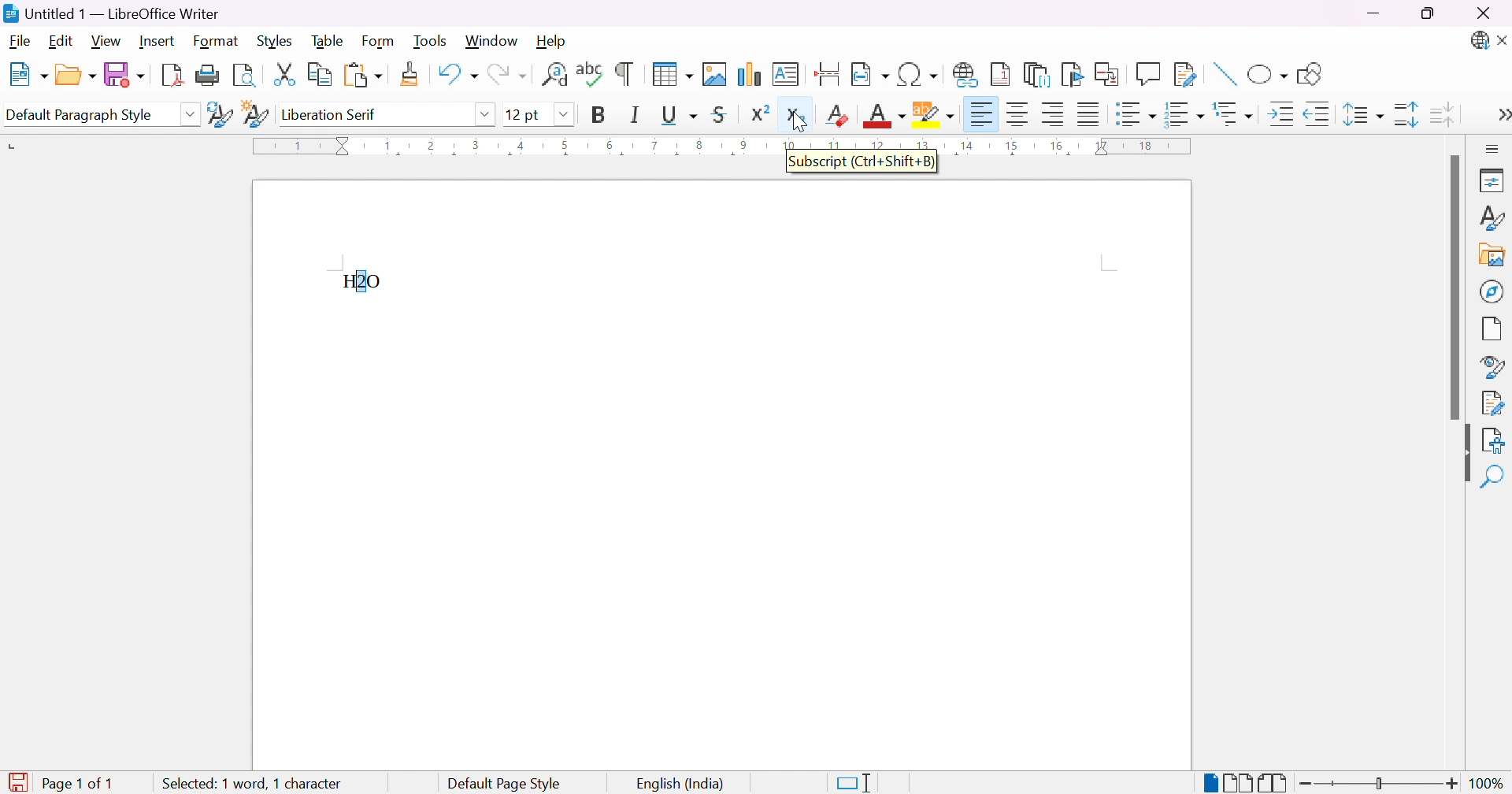 The height and width of the screenshot is (794, 1512). What do you see at coordinates (966, 74) in the screenshot?
I see `Insert hyperlink` at bounding box center [966, 74].